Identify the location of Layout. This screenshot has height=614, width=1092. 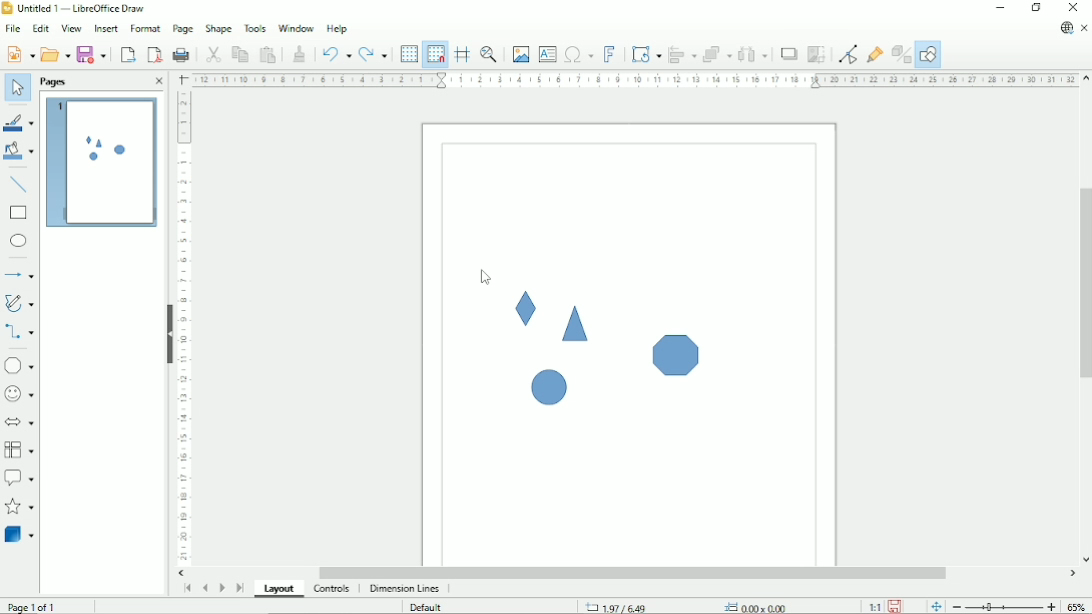
(279, 588).